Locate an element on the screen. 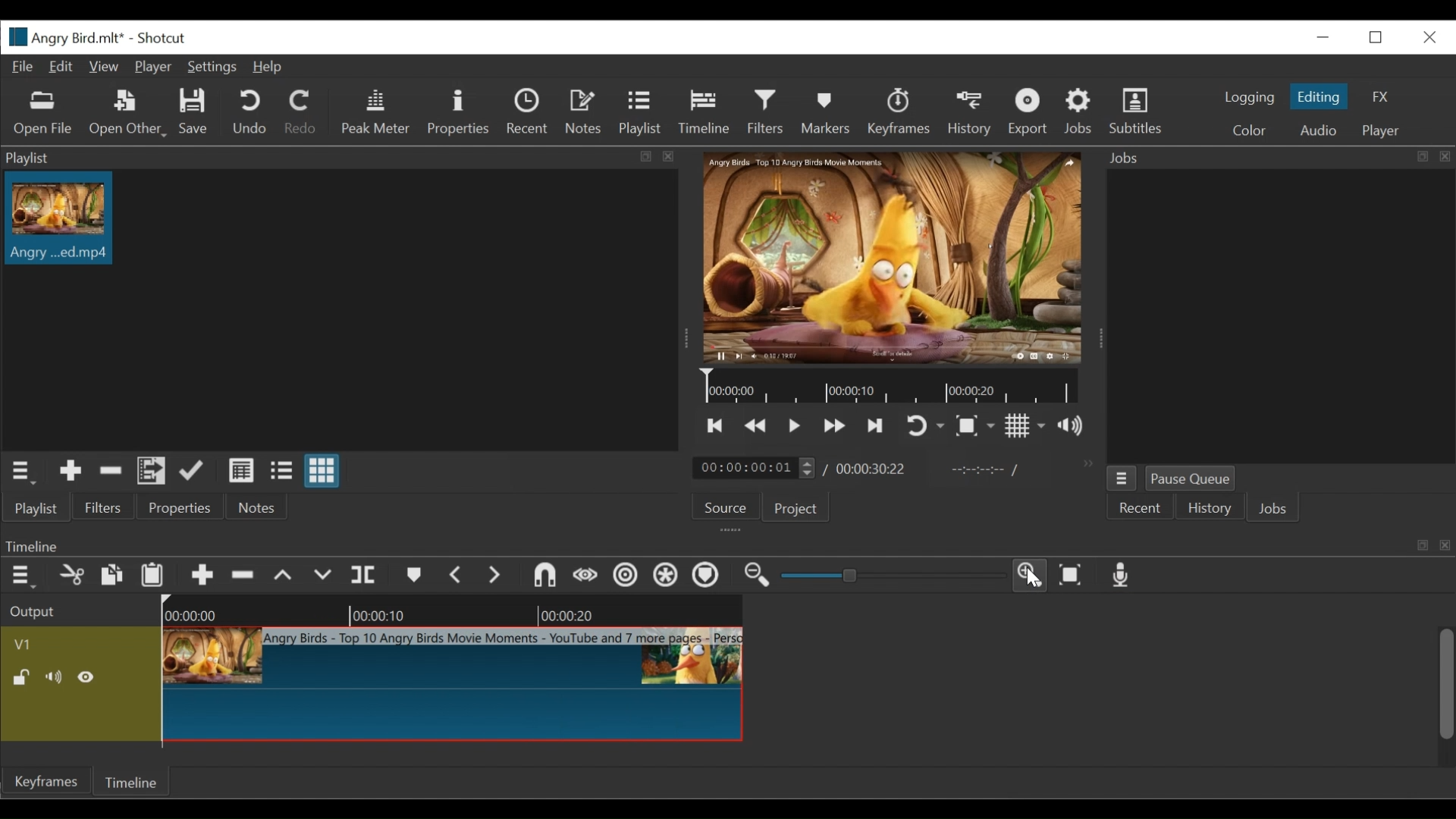  Ripple is located at coordinates (627, 577).